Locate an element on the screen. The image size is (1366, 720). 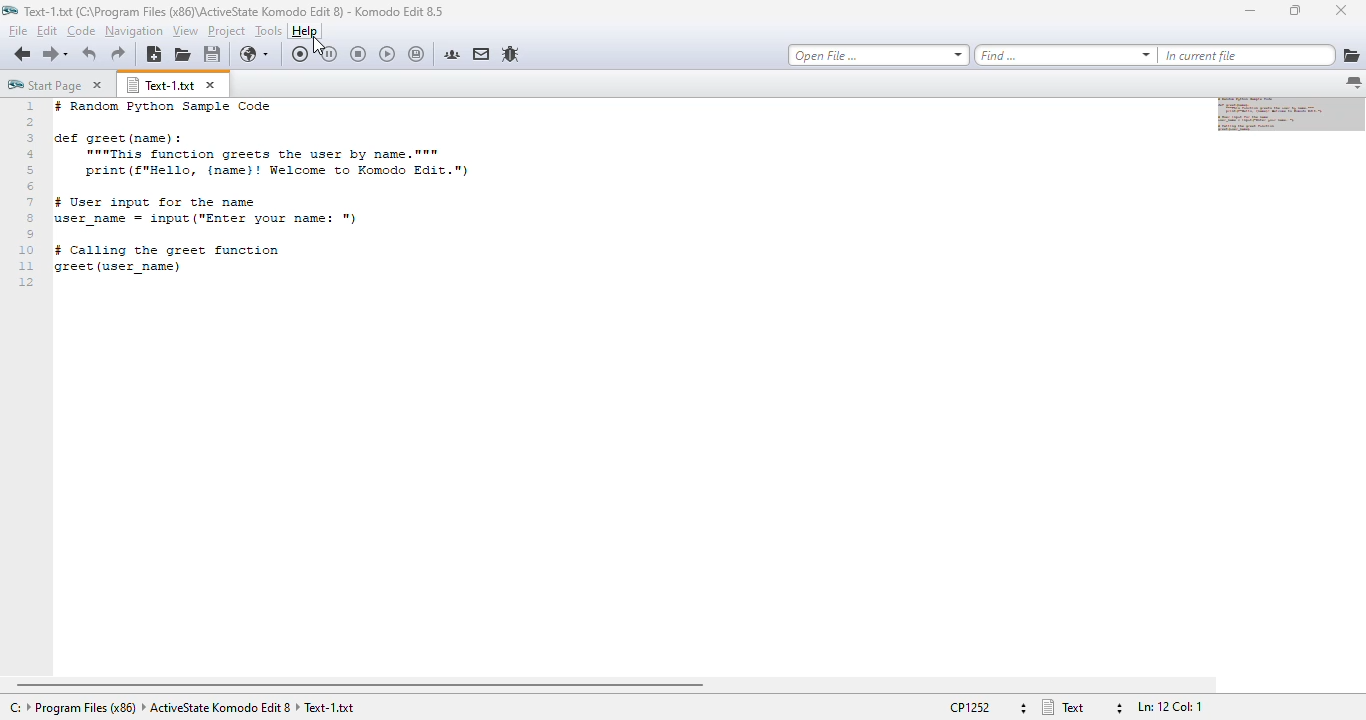
text-1 program files is located at coordinates (182, 708).